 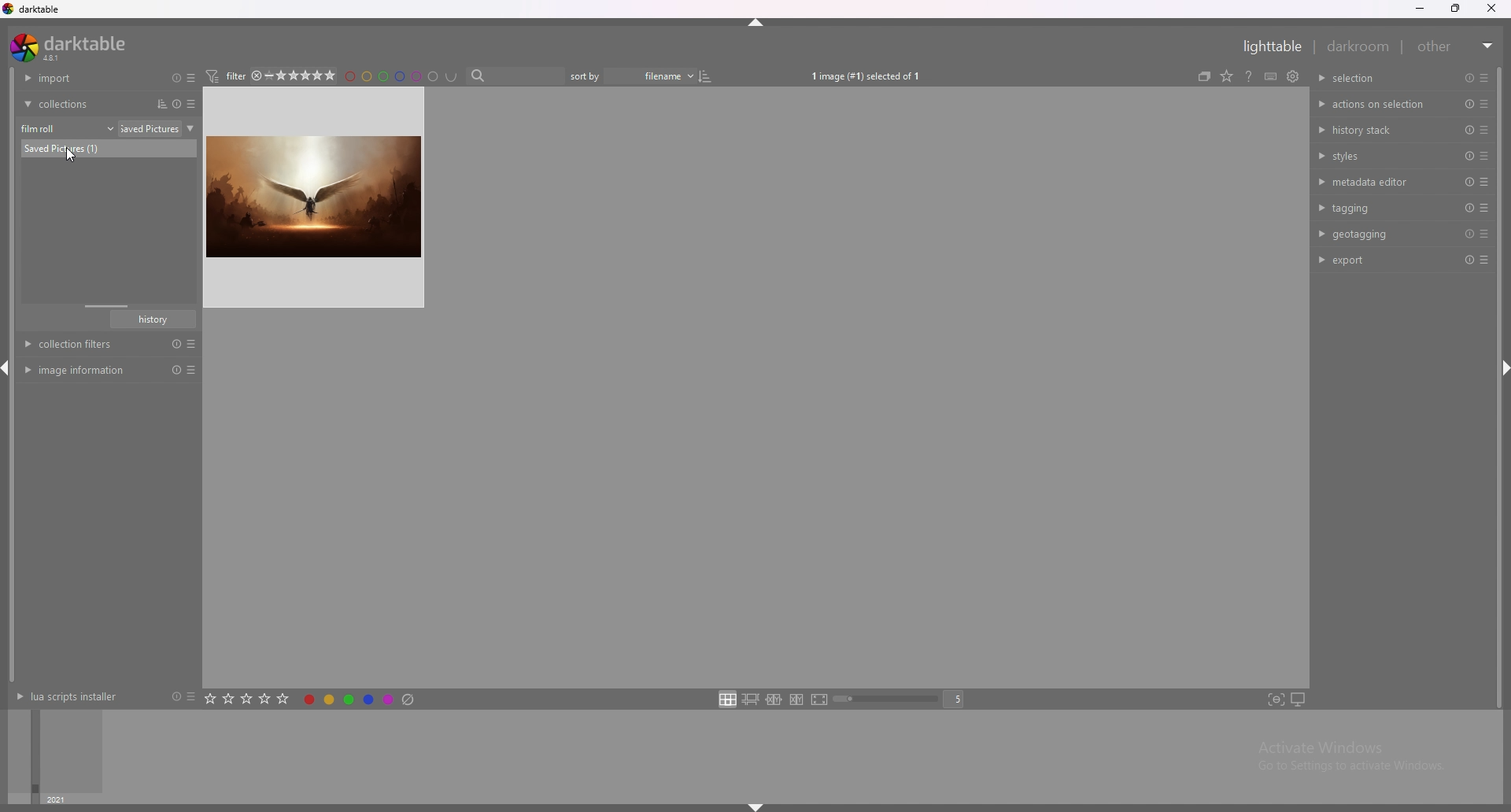 I want to click on reset, so click(x=1469, y=156).